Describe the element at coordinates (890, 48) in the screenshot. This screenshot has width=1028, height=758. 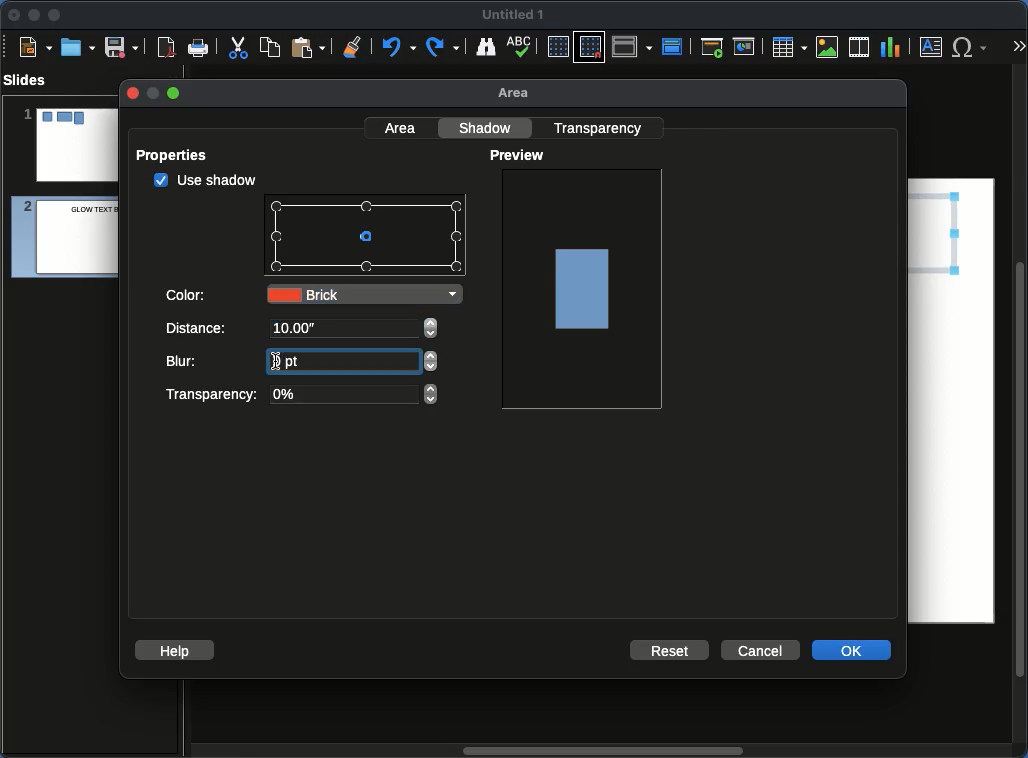
I see `Chart` at that location.